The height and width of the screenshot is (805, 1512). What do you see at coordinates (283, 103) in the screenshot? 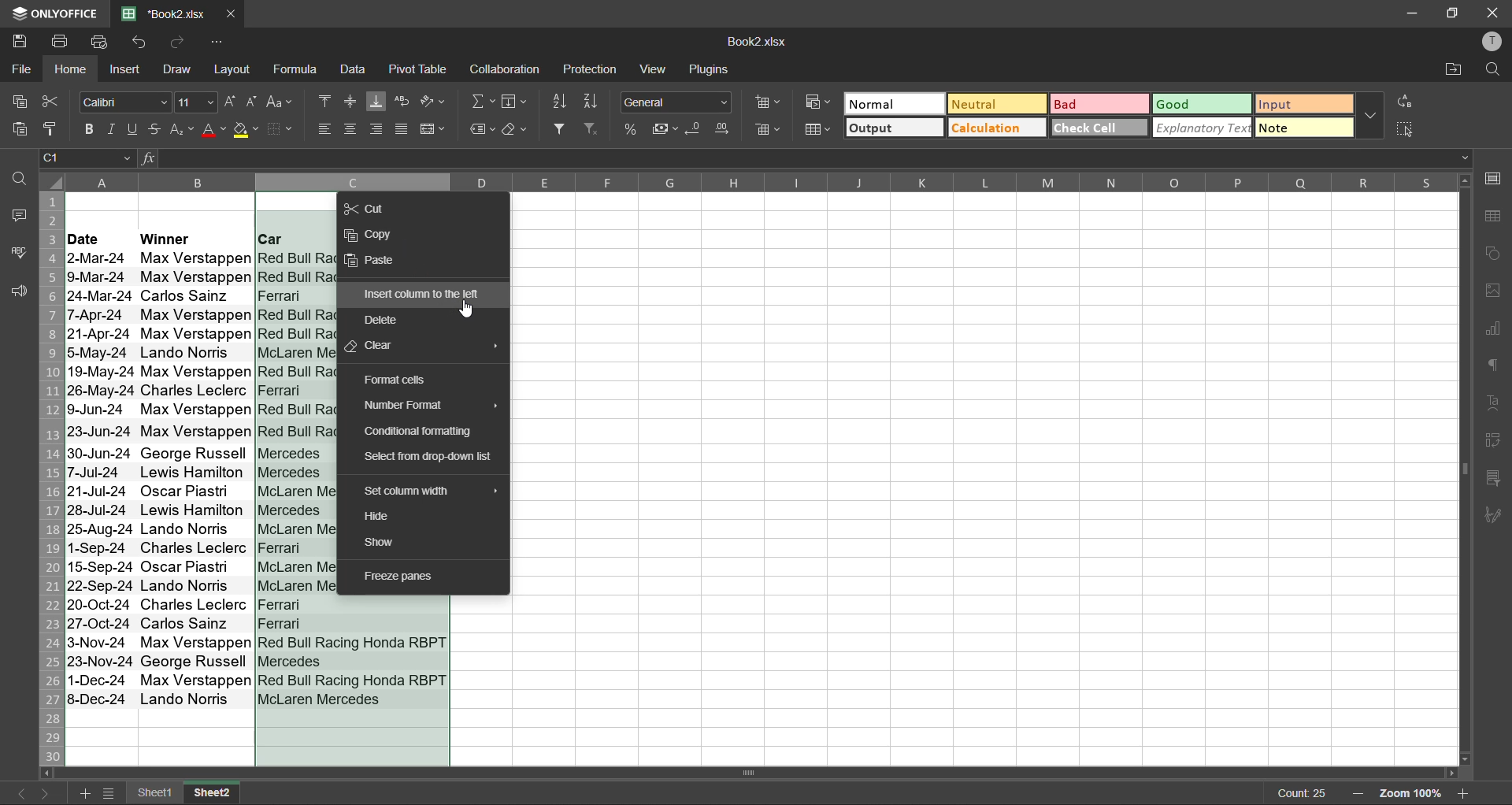
I see `change case` at bounding box center [283, 103].